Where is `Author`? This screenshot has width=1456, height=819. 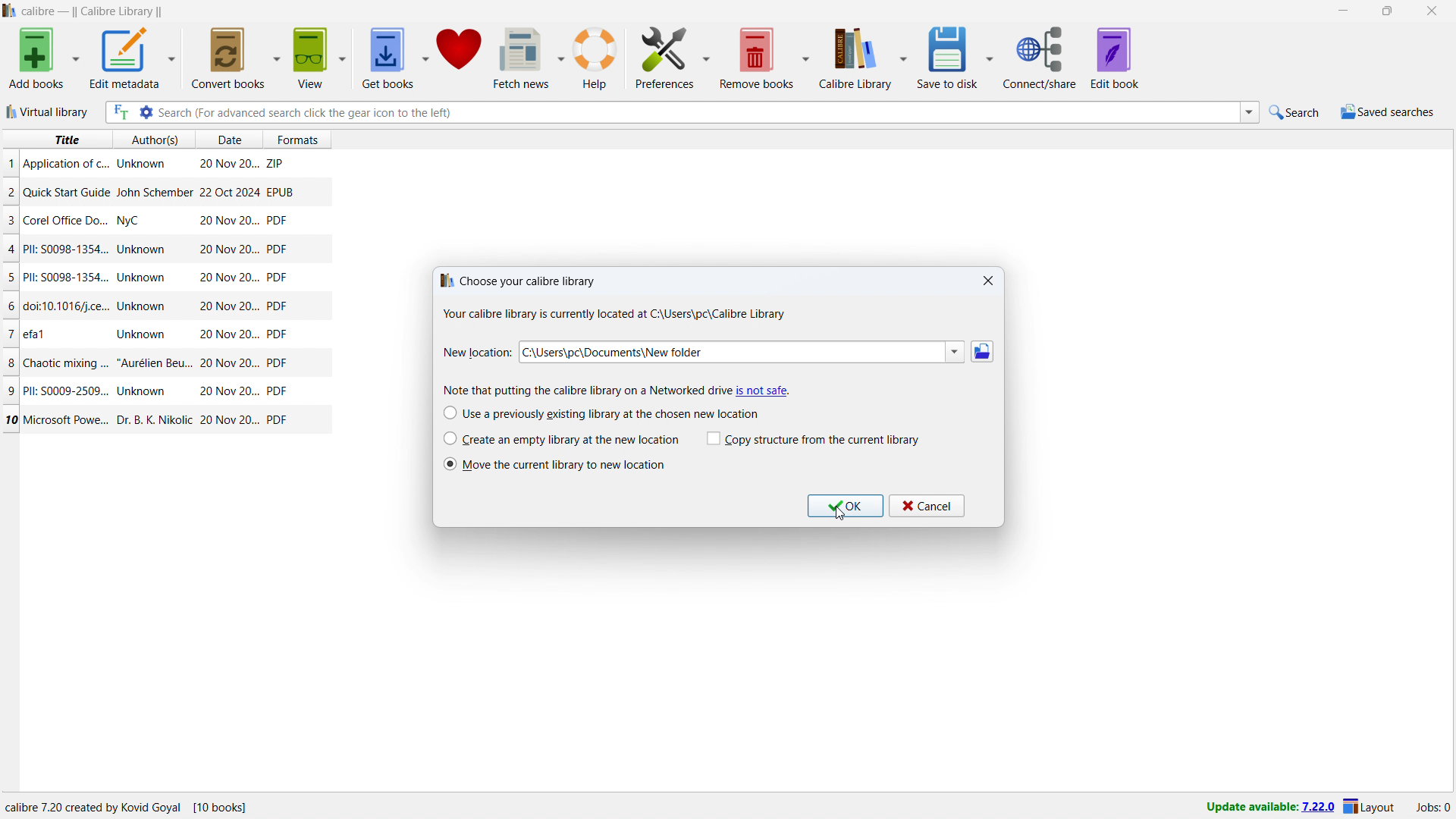
Author is located at coordinates (140, 165).